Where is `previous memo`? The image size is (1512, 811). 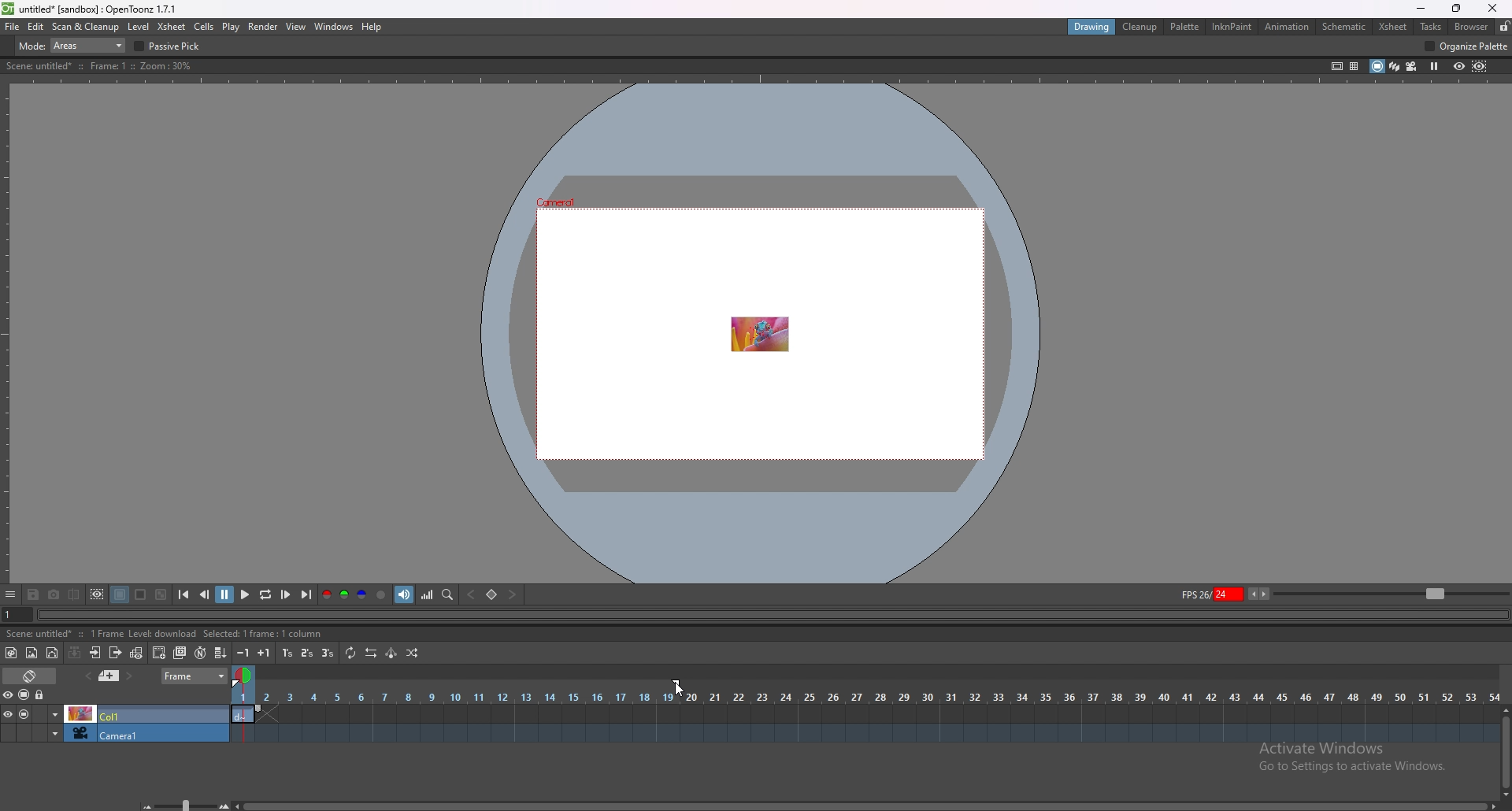
previous memo is located at coordinates (109, 676).